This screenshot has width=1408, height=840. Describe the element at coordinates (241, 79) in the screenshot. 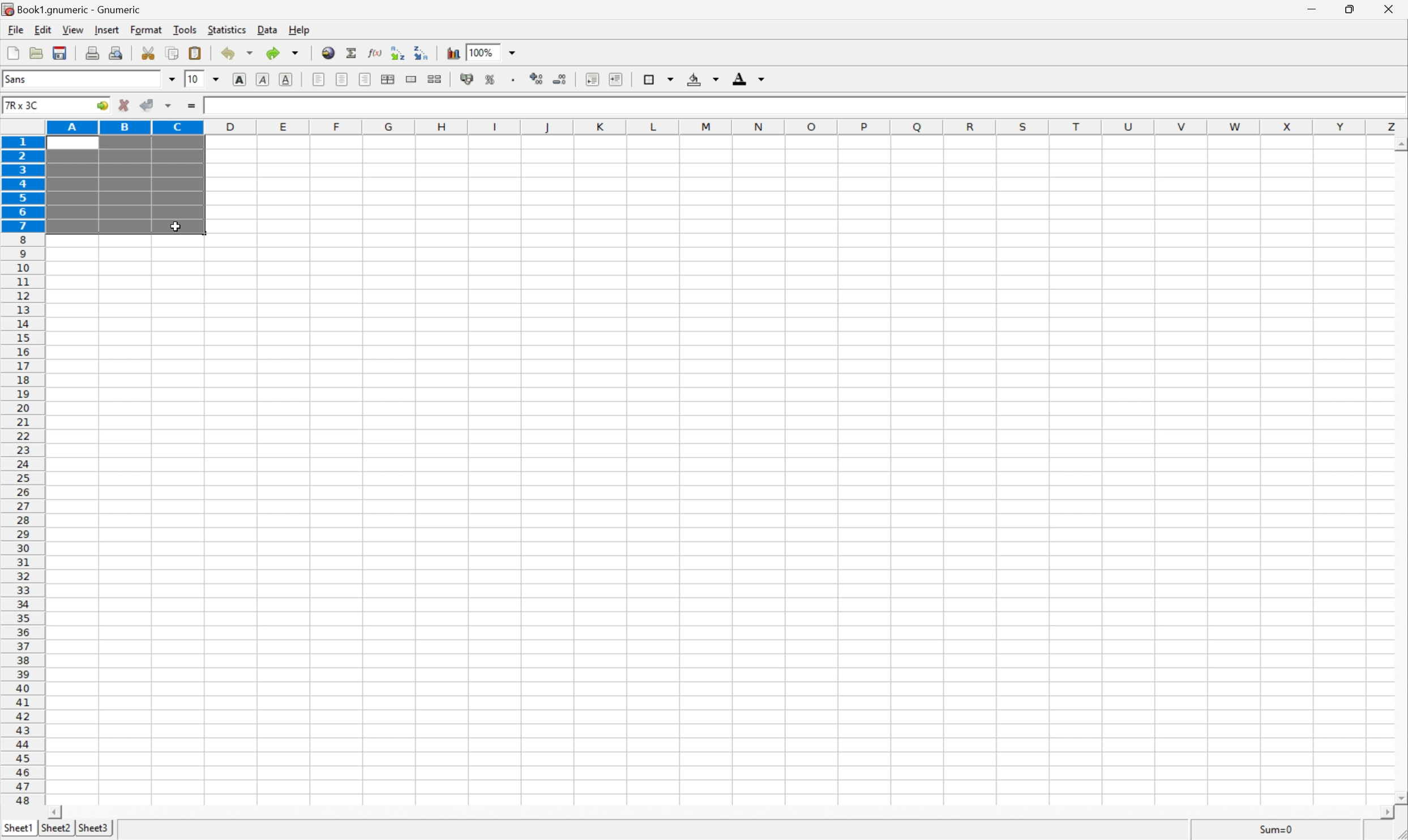

I see `bold` at that location.